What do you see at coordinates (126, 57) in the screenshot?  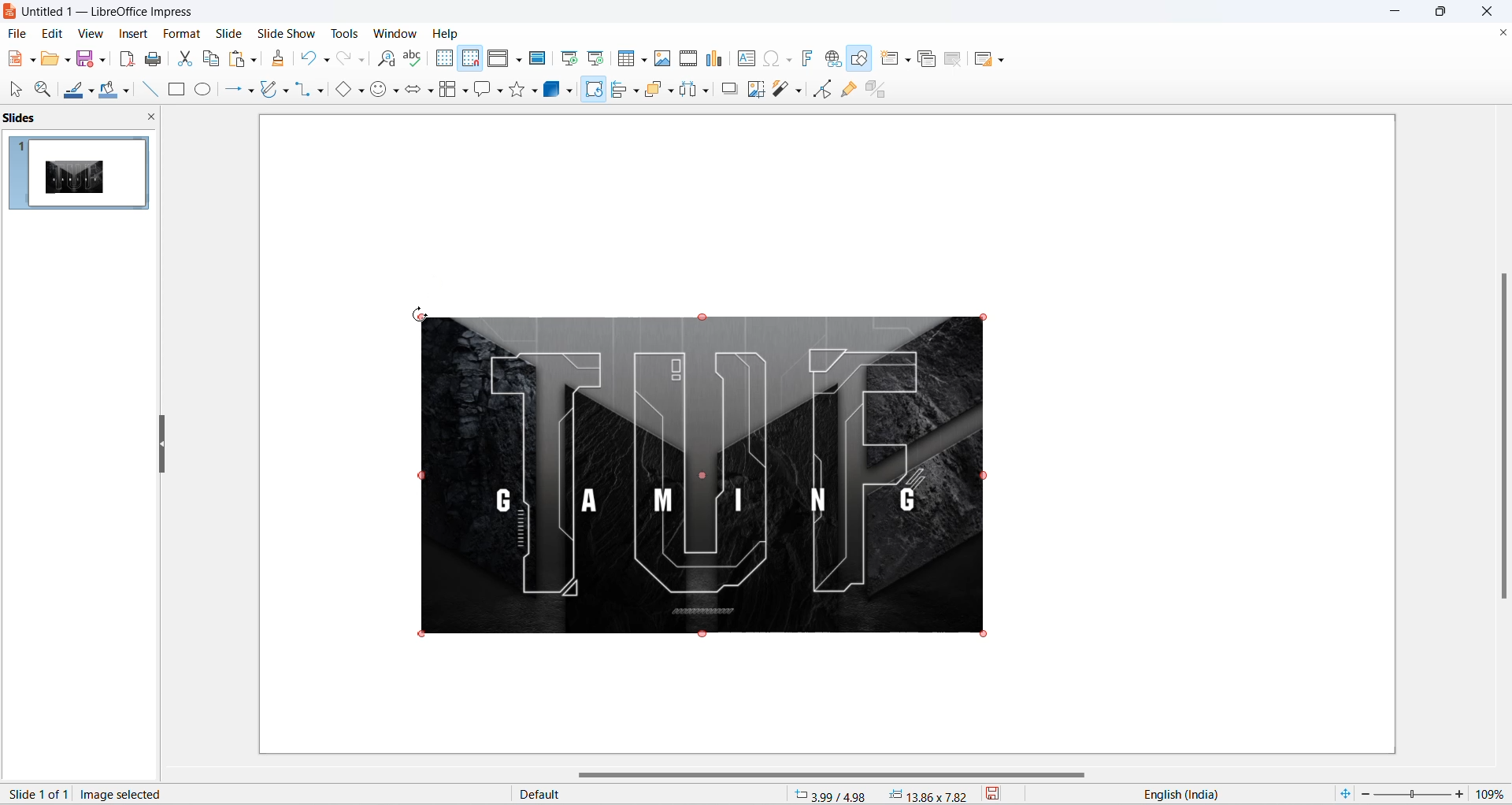 I see `export as pdf` at bounding box center [126, 57].